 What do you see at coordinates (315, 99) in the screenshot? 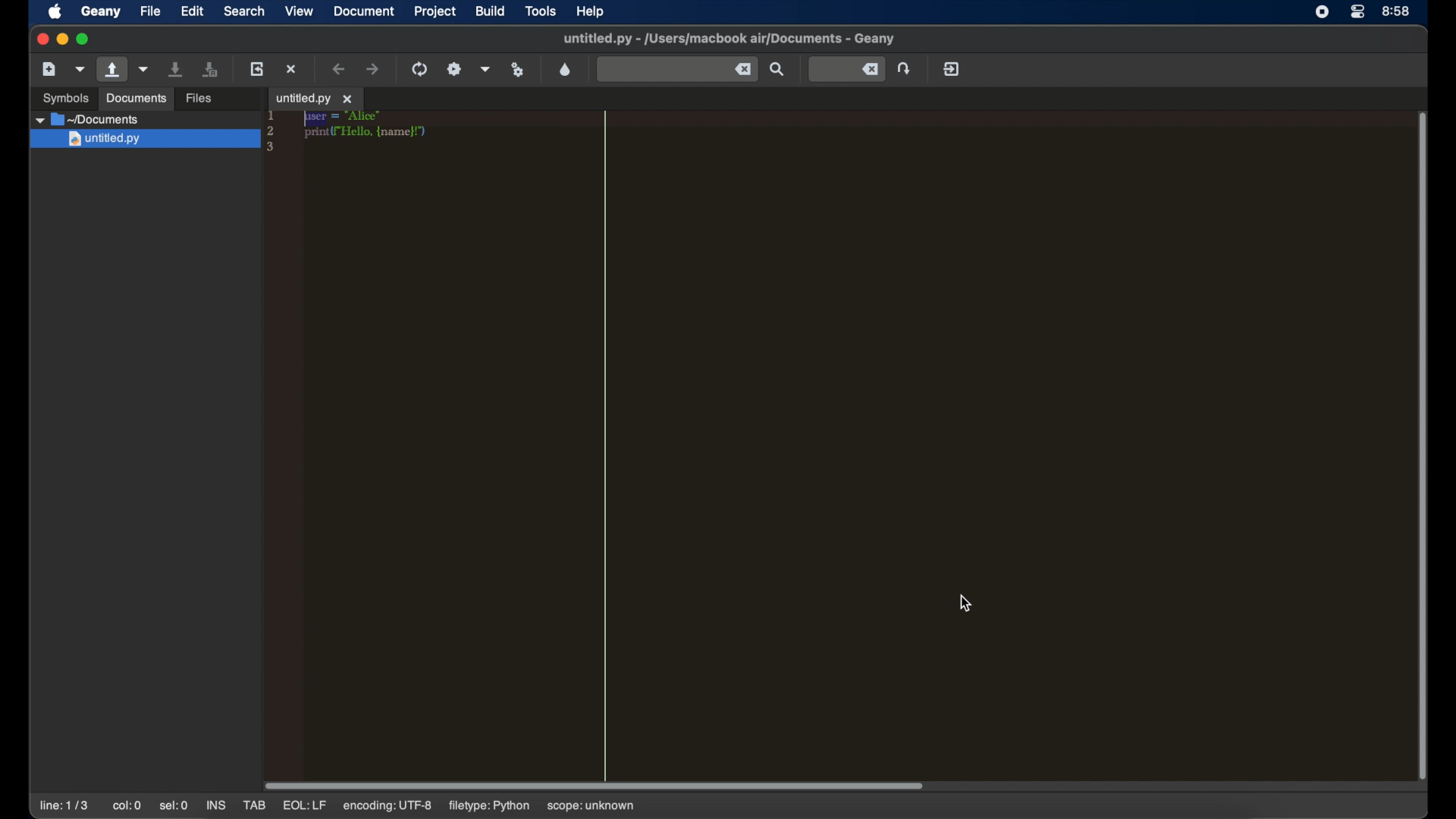
I see `tab` at bounding box center [315, 99].